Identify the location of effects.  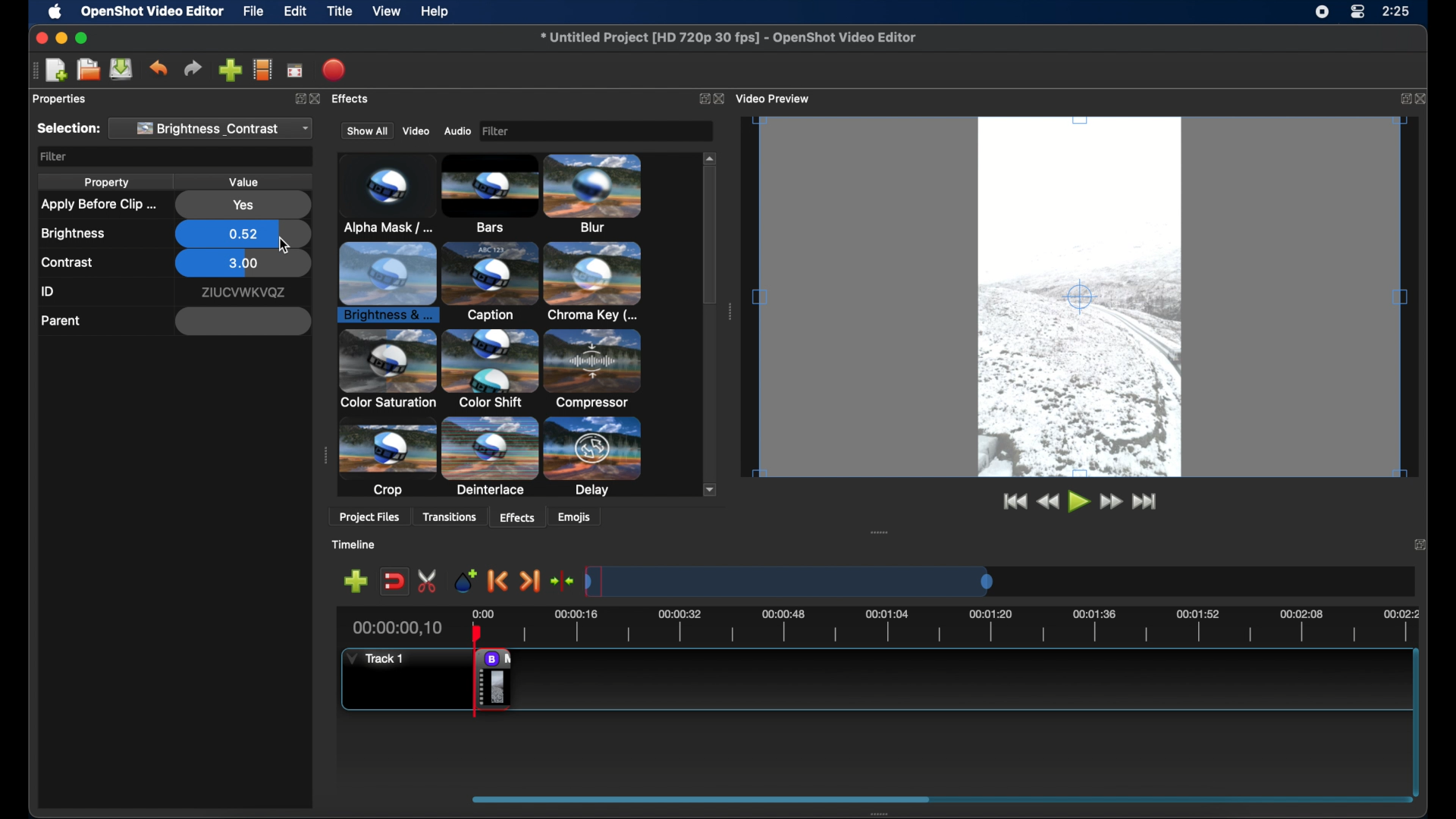
(515, 516).